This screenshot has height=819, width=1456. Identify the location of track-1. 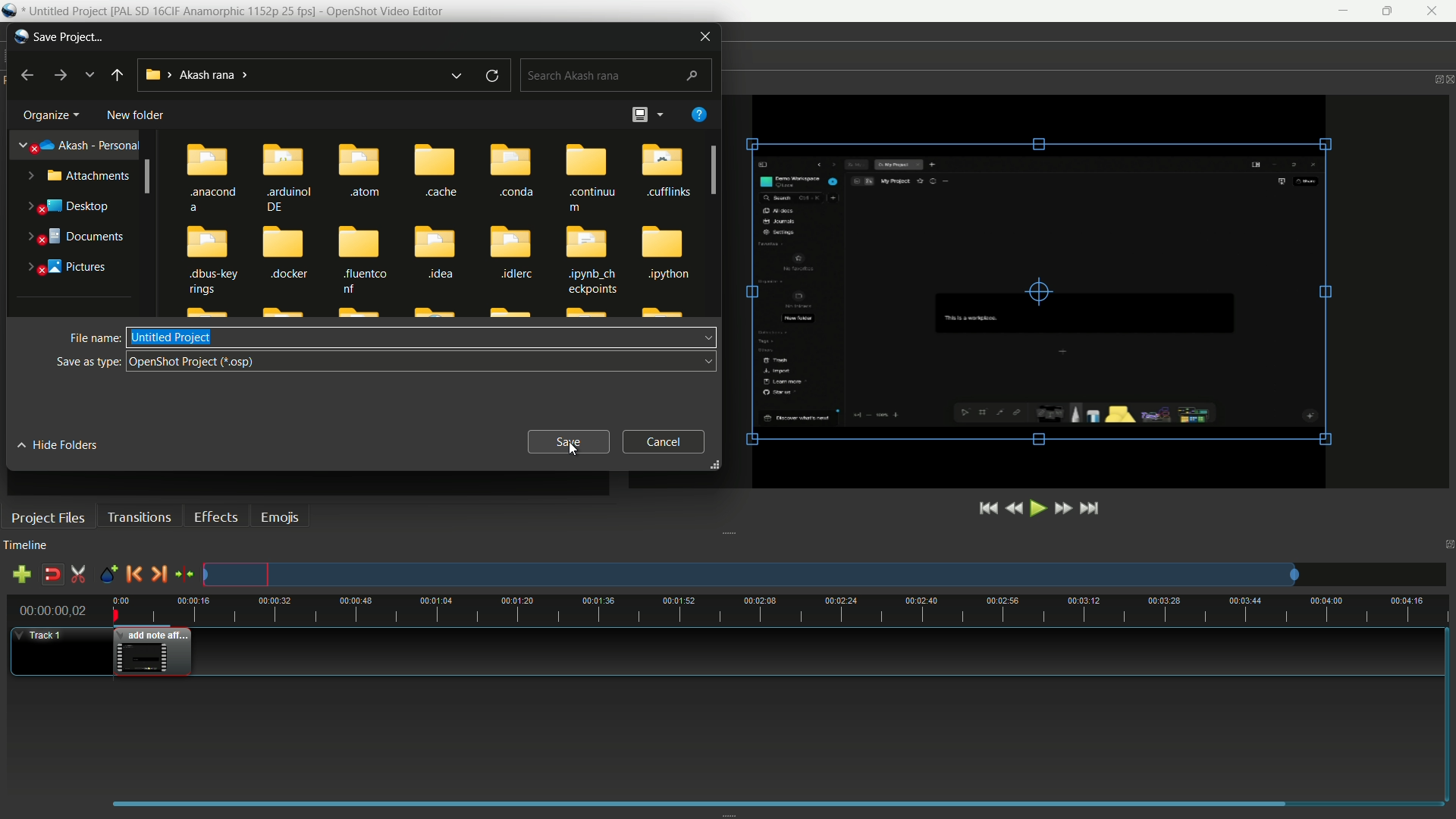
(44, 634).